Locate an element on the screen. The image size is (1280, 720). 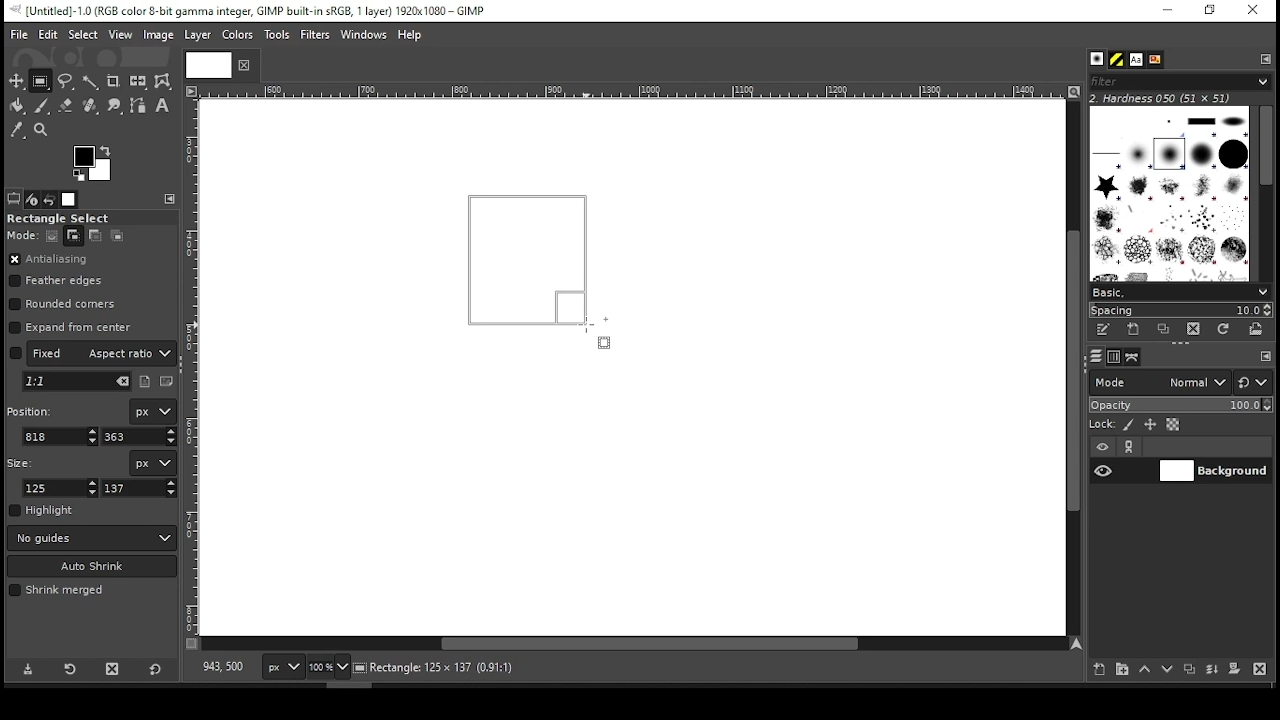
free selection tool is located at coordinates (68, 82).